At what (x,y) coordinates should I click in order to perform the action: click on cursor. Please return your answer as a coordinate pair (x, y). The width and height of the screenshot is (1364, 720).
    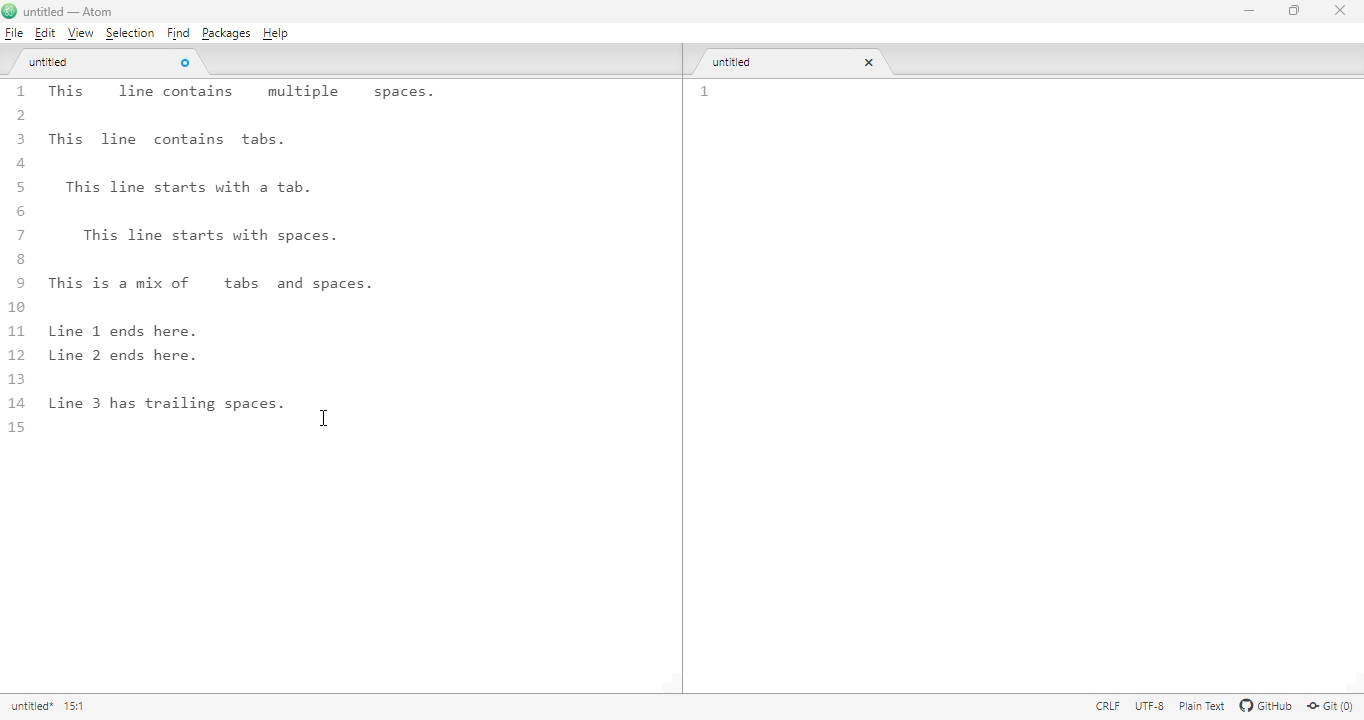
    Looking at the image, I should click on (325, 418).